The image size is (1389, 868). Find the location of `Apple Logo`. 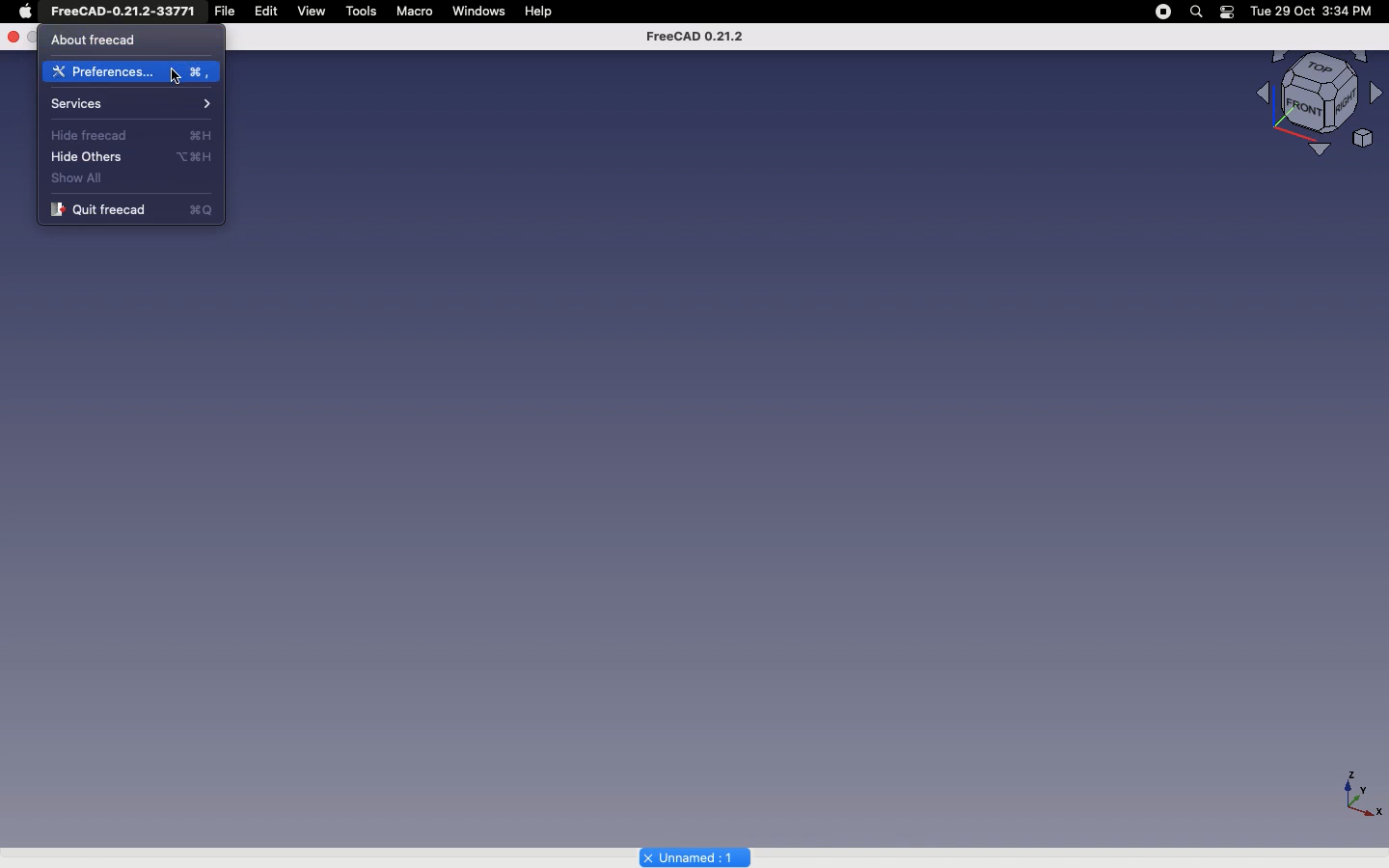

Apple Logo is located at coordinates (25, 12).